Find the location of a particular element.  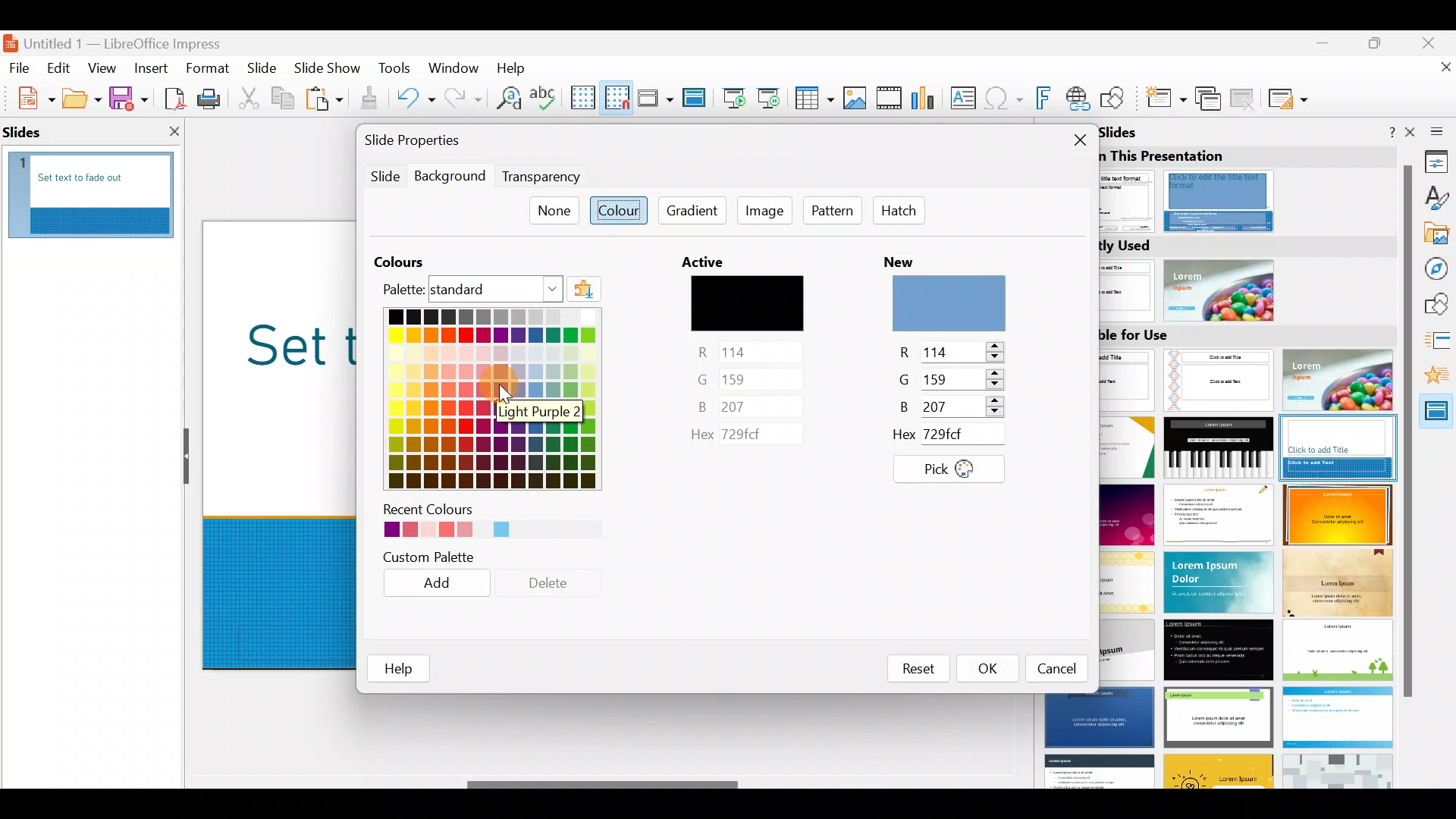

Copy is located at coordinates (281, 99).